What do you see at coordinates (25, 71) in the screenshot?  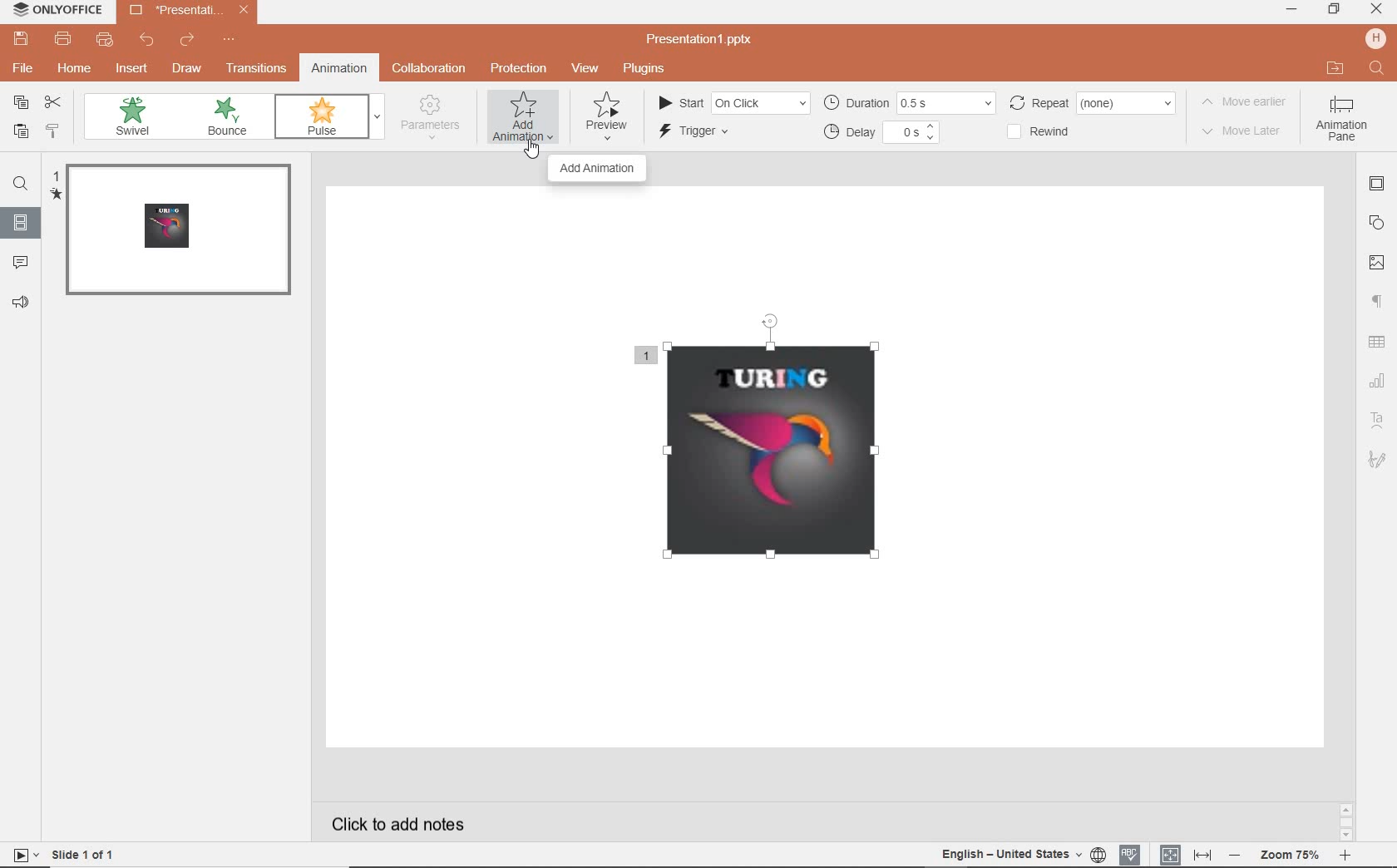 I see `file` at bounding box center [25, 71].